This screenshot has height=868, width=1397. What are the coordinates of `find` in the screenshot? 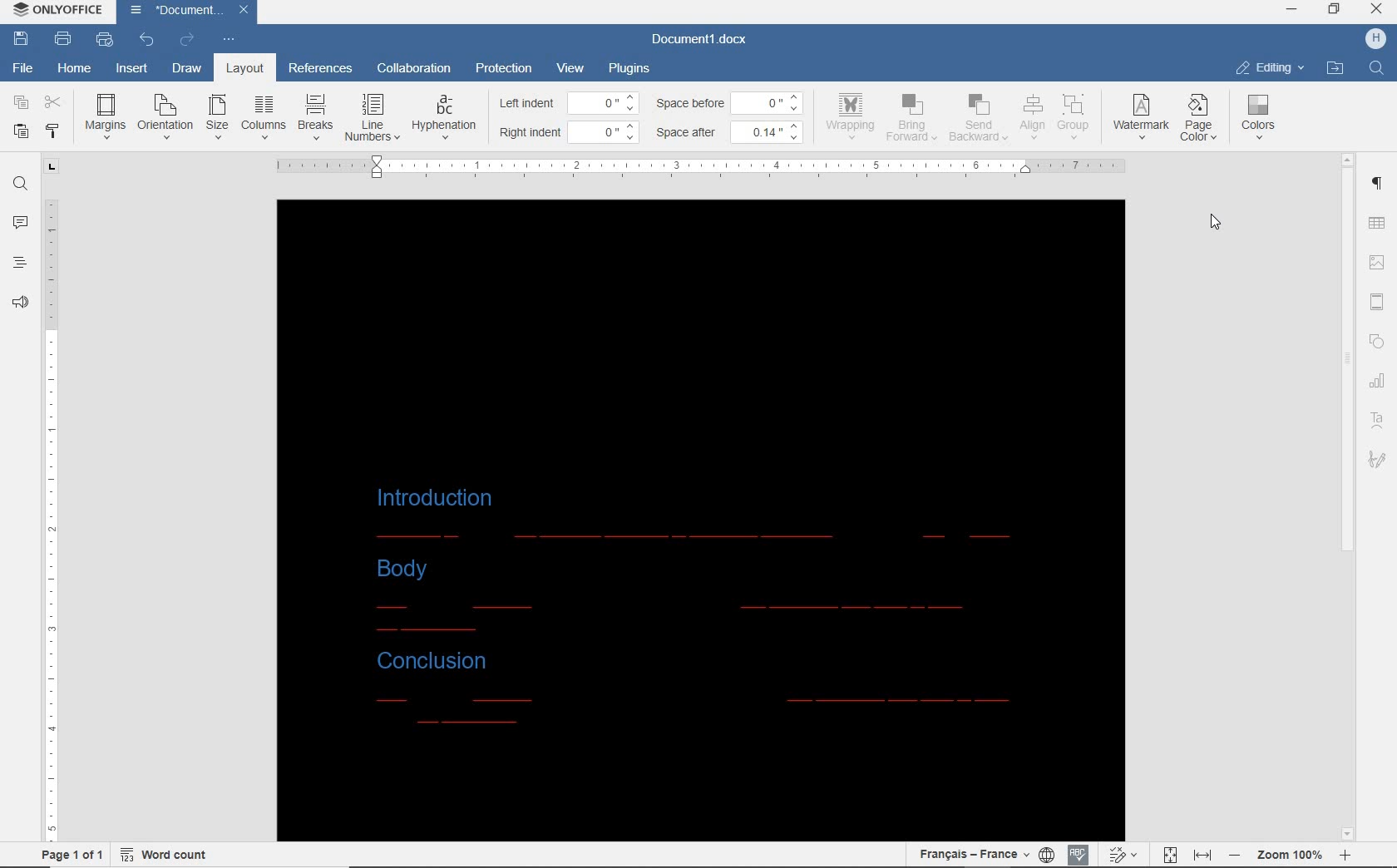 It's located at (20, 185).